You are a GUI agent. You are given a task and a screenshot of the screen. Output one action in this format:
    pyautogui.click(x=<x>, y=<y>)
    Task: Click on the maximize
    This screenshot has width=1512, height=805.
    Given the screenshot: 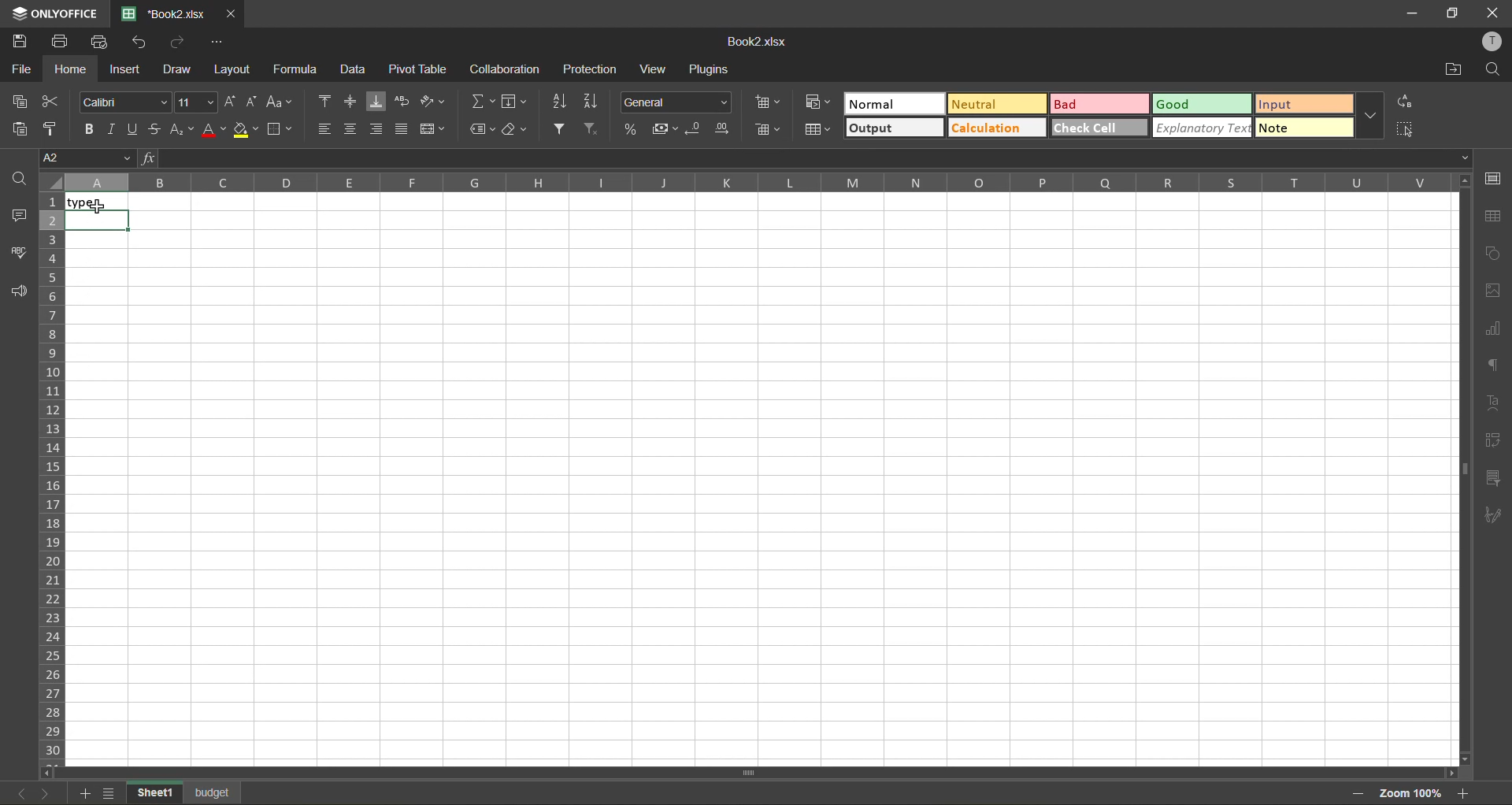 What is the action you would take?
    pyautogui.click(x=1447, y=15)
    